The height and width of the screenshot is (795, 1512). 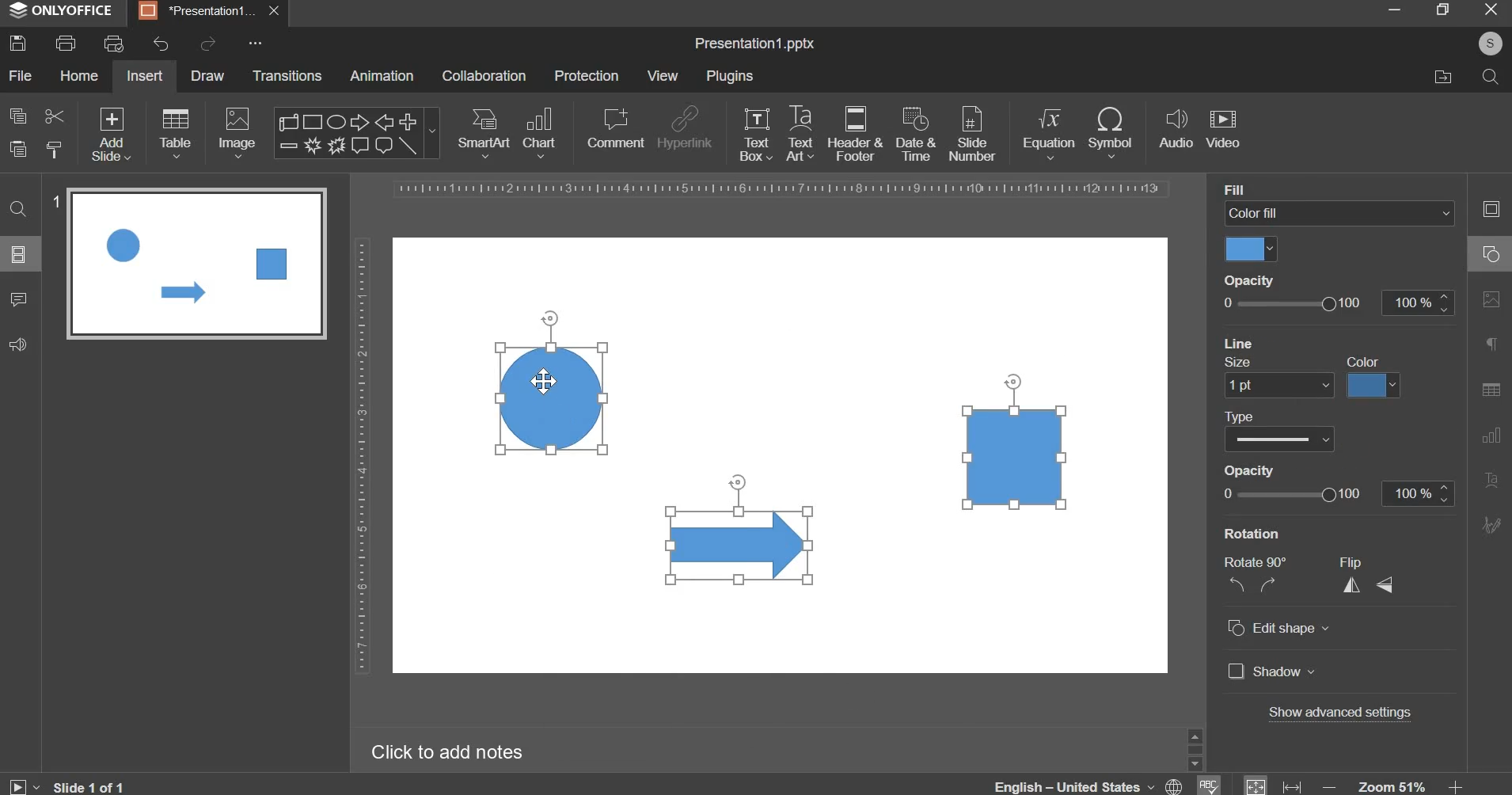 What do you see at coordinates (1489, 296) in the screenshot?
I see `image setting` at bounding box center [1489, 296].